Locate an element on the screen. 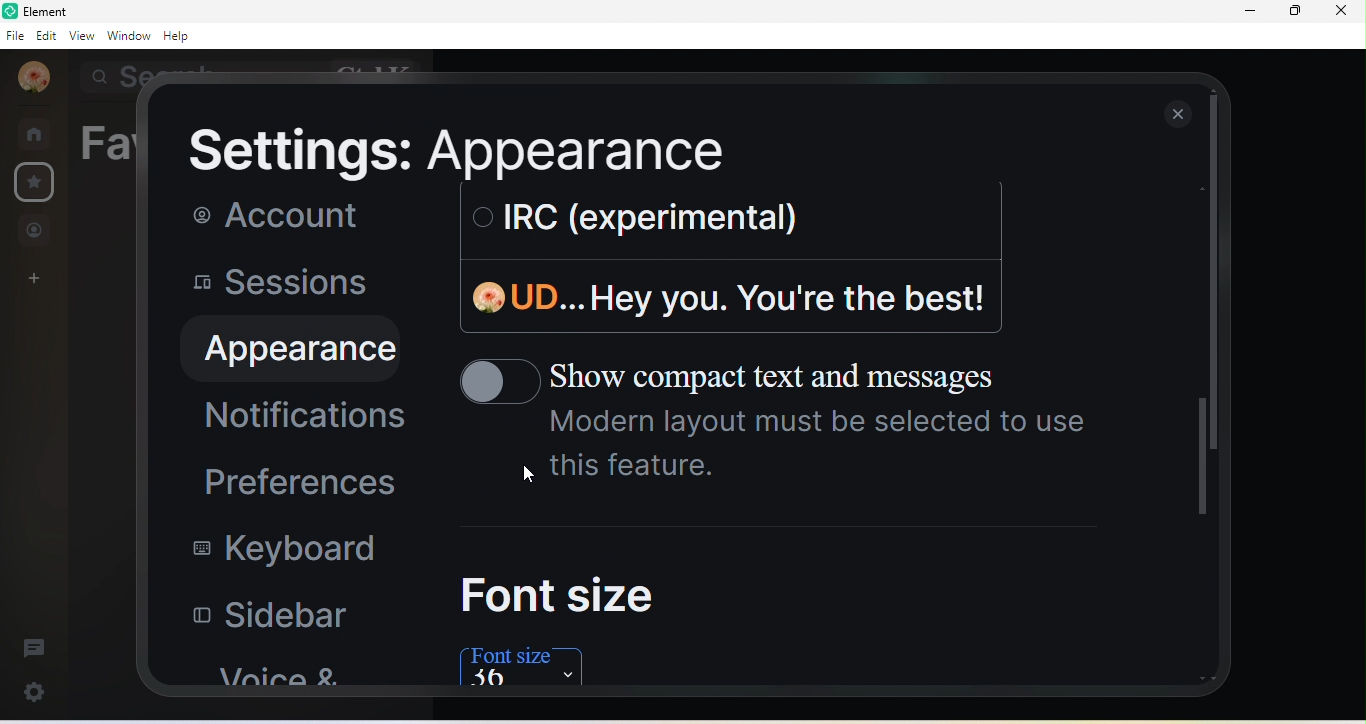  show compact text and messages is located at coordinates (755, 377).